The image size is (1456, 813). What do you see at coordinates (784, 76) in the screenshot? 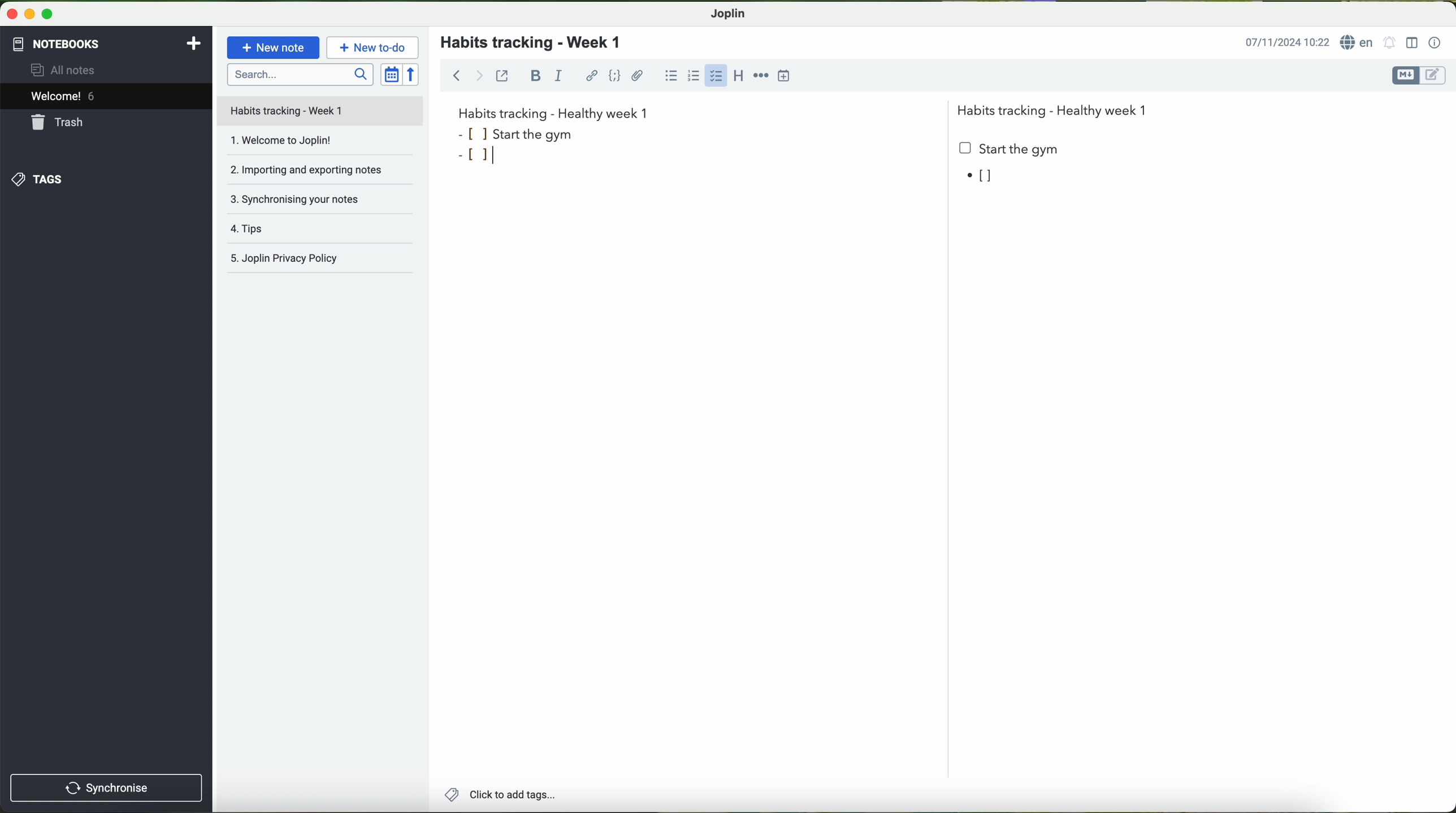
I see `insert time` at bounding box center [784, 76].